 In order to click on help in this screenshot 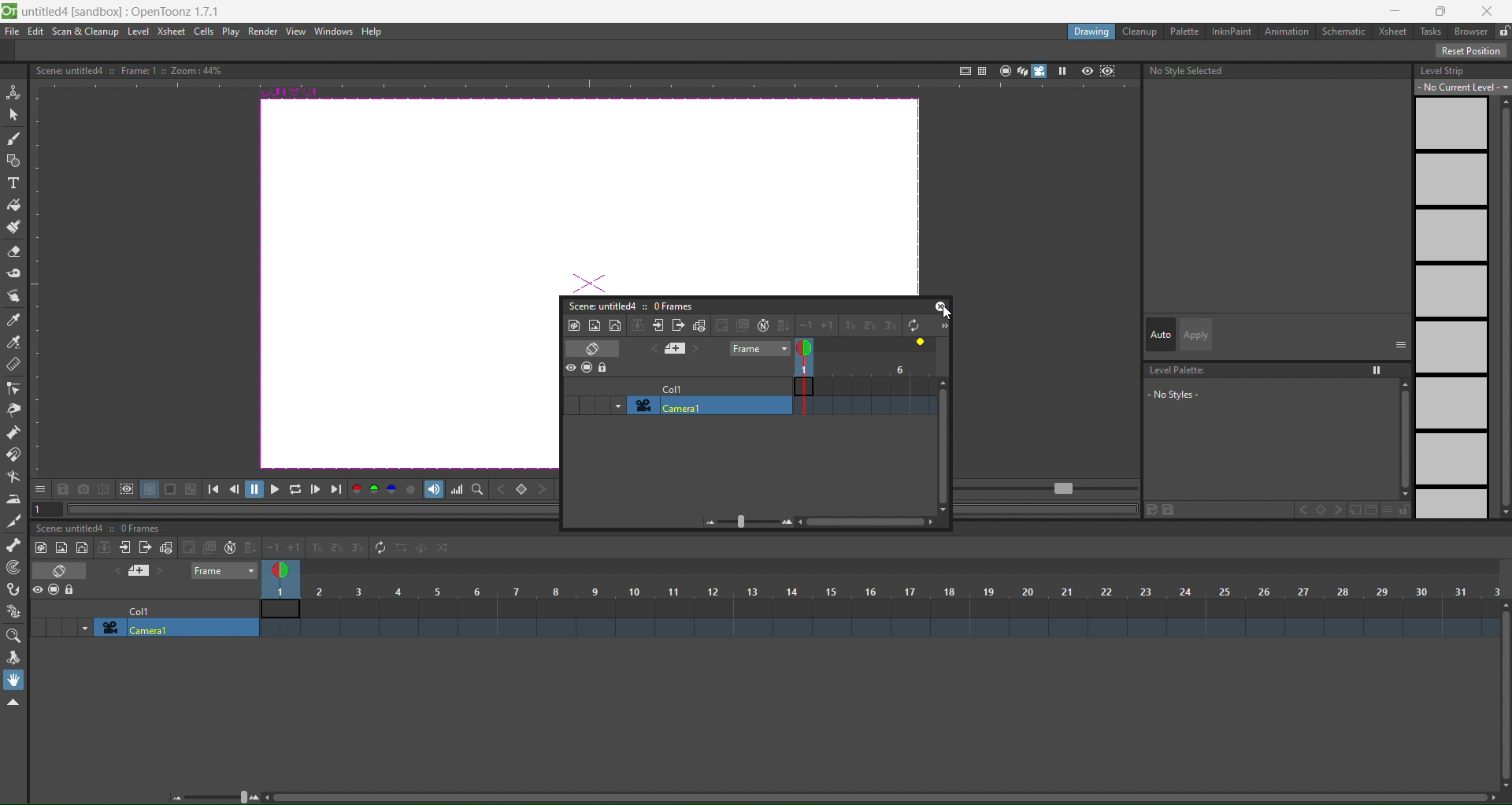, I will do `click(372, 32)`.